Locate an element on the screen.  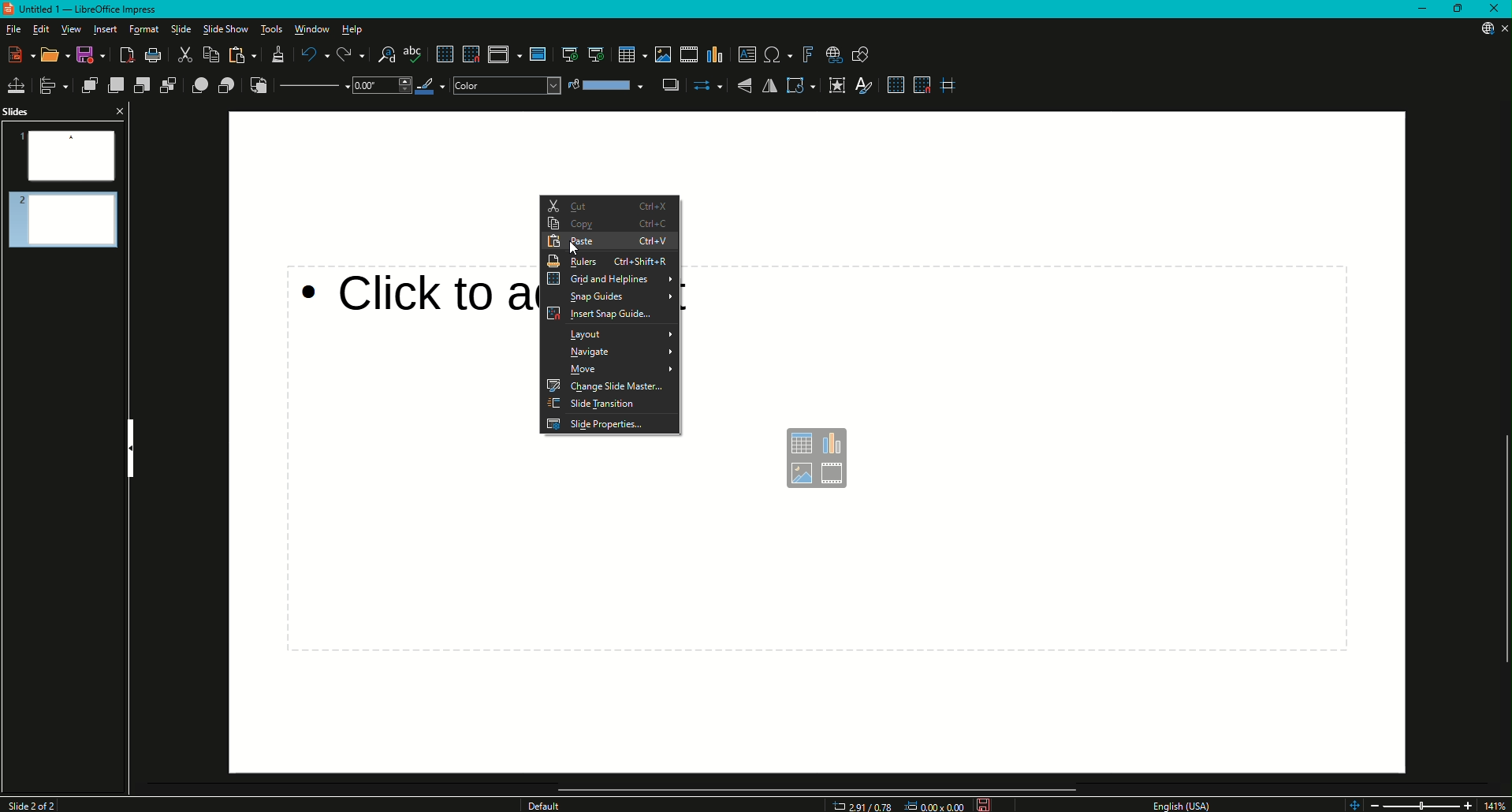
Line Style is located at coordinates (312, 87).